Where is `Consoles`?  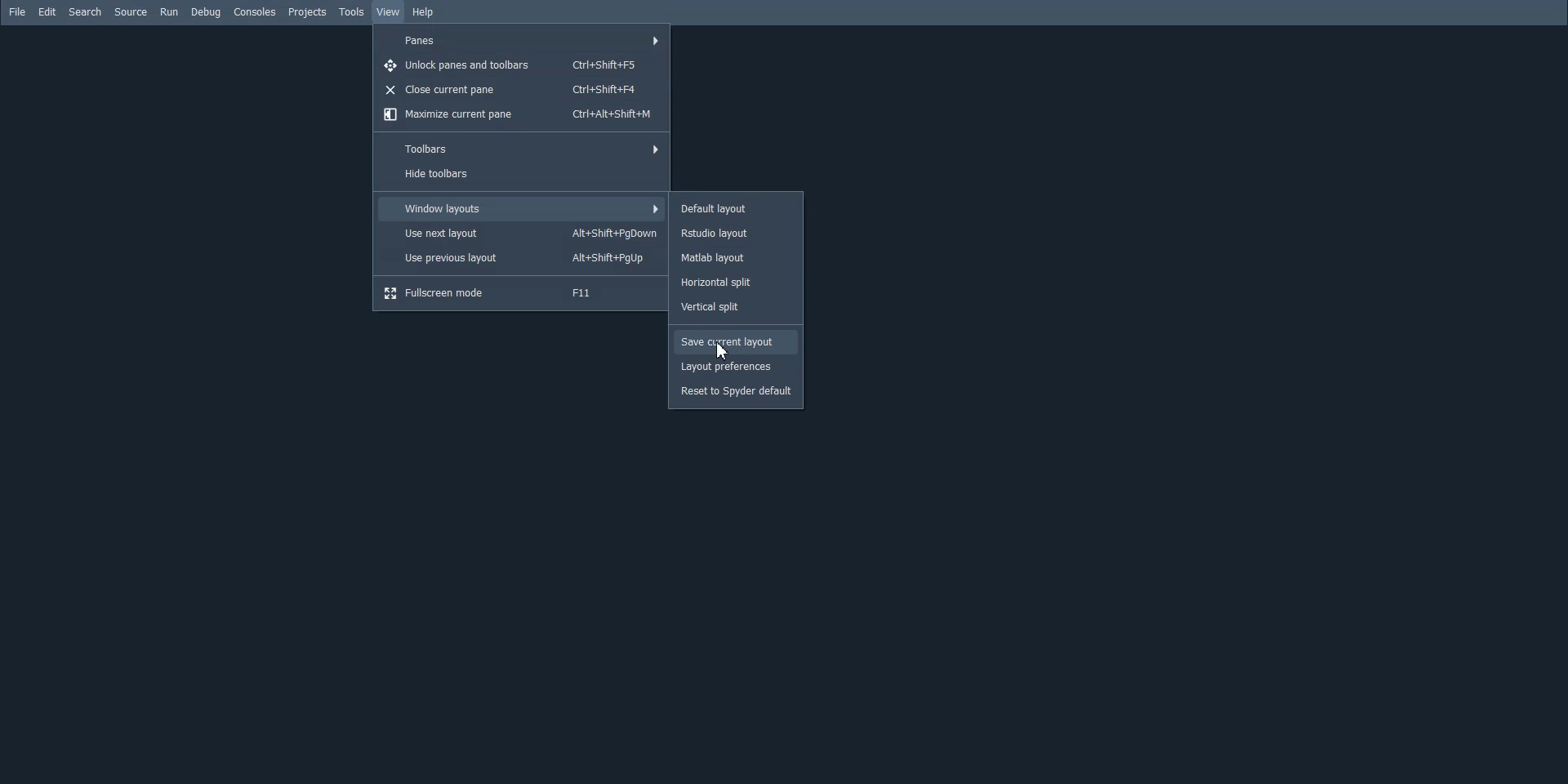
Consoles is located at coordinates (256, 11).